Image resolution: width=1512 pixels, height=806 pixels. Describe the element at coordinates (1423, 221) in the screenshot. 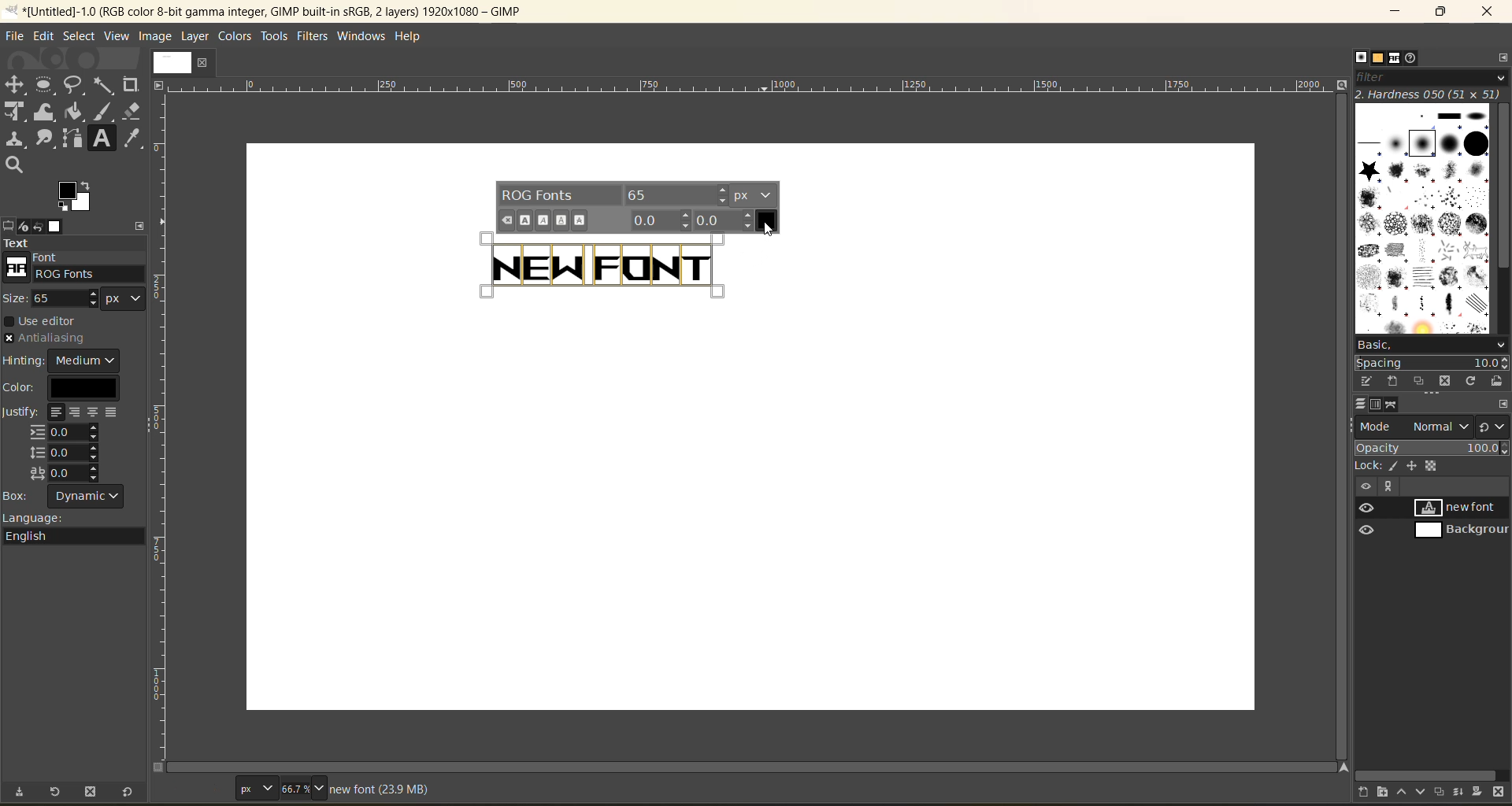

I see `brushes` at that location.